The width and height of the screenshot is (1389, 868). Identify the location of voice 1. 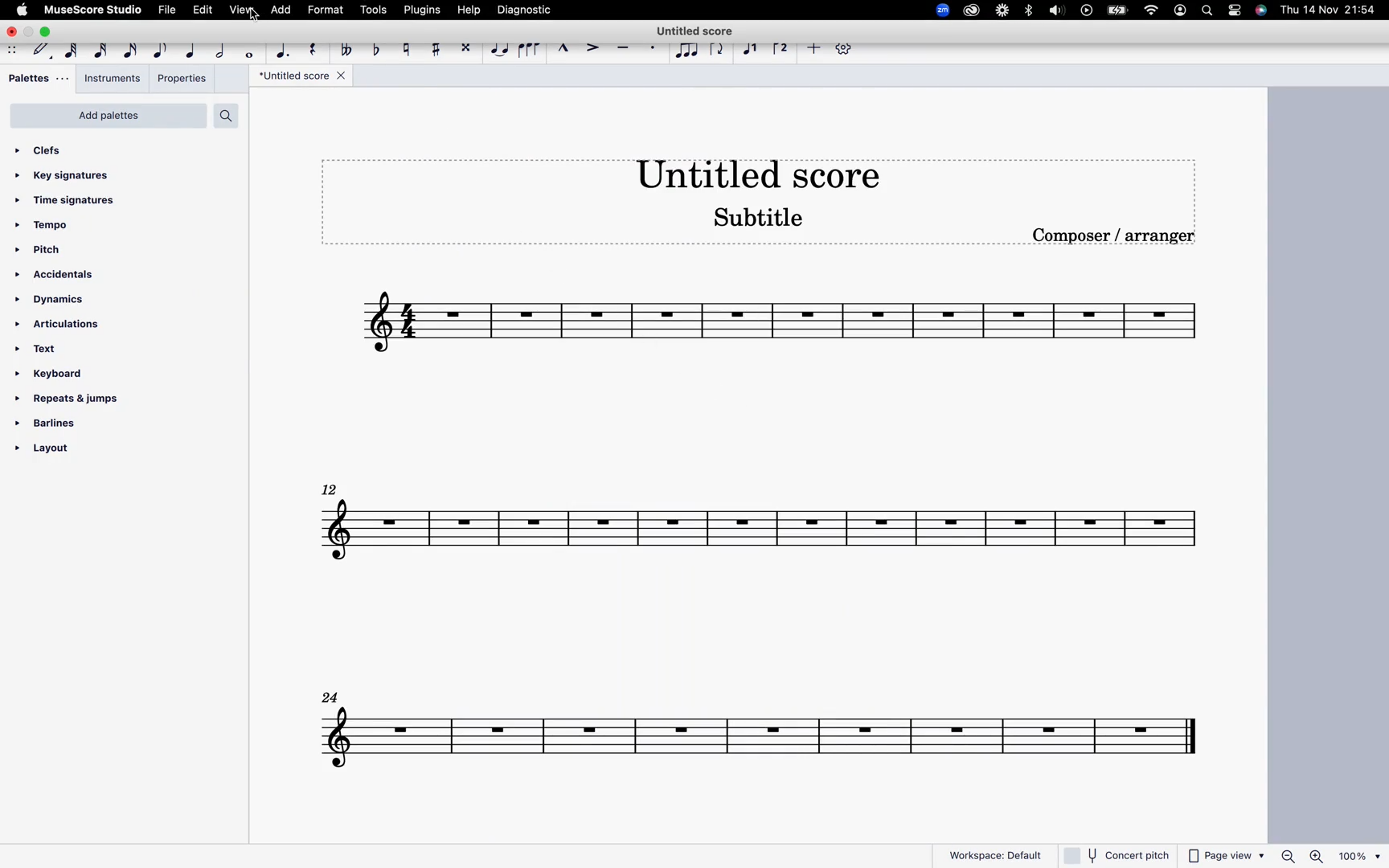
(748, 51).